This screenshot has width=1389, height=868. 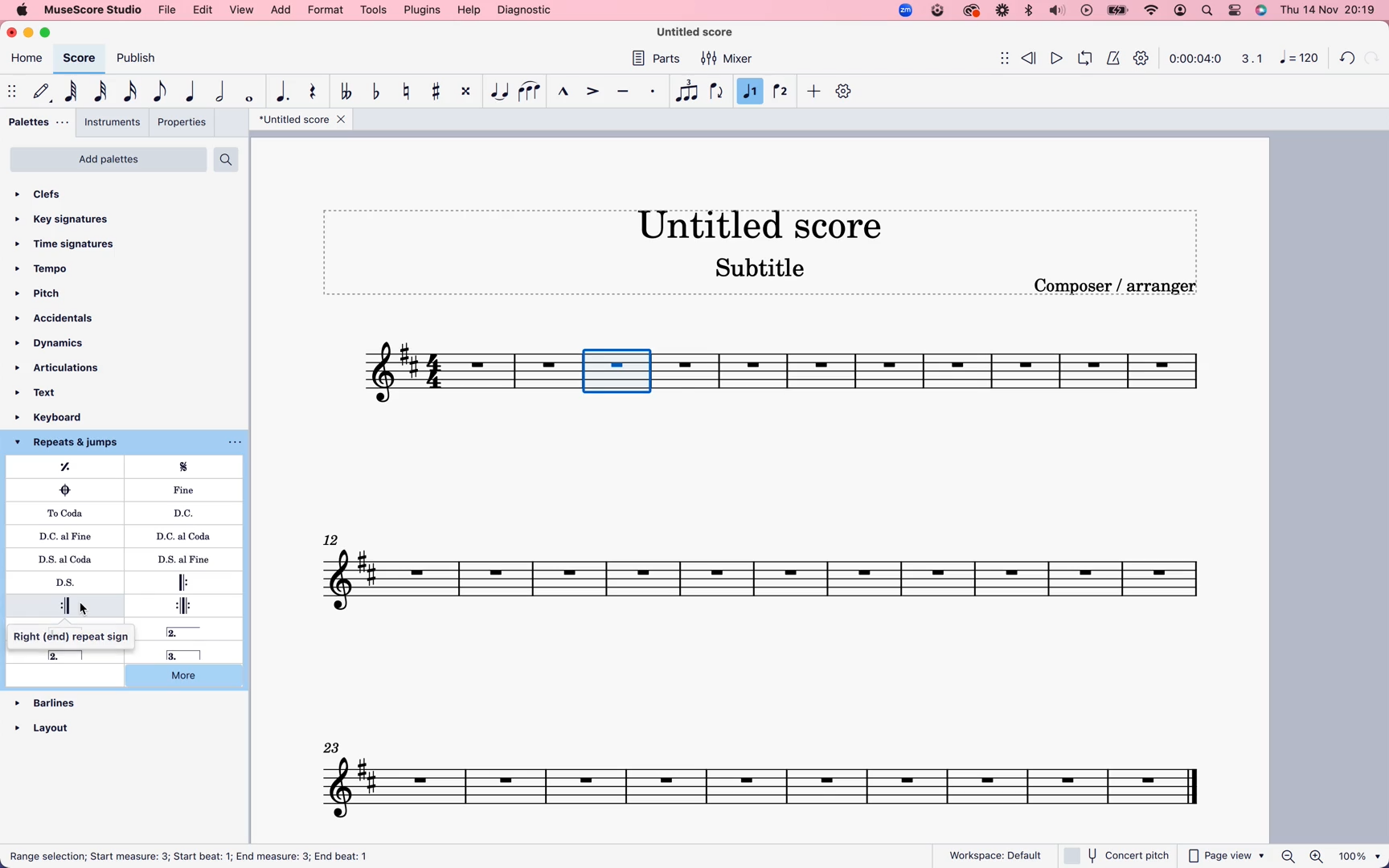 What do you see at coordinates (160, 92) in the screenshot?
I see `eight note` at bounding box center [160, 92].